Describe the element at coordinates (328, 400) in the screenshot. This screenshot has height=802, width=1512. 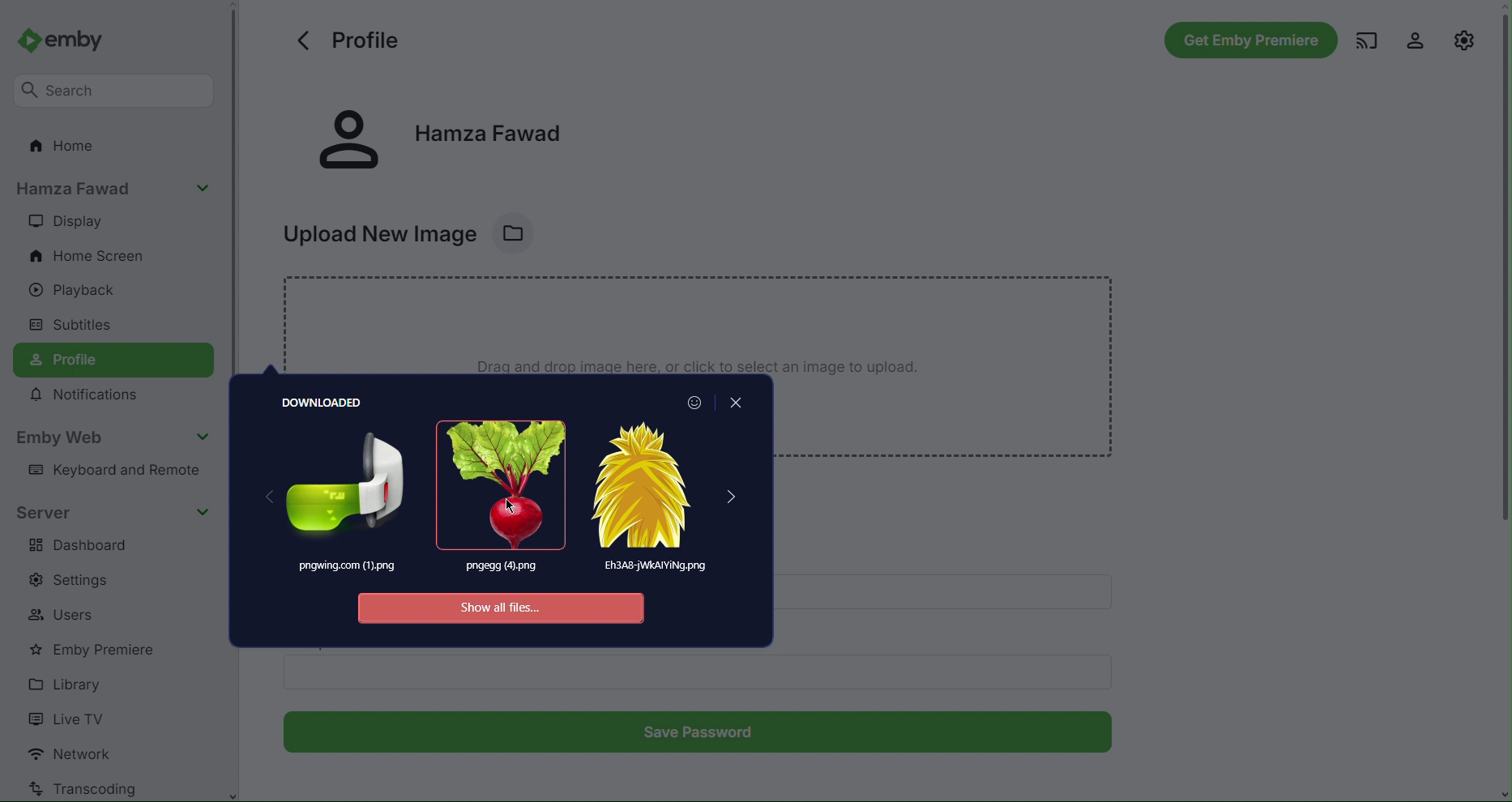
I see `Downloaded` at that location.